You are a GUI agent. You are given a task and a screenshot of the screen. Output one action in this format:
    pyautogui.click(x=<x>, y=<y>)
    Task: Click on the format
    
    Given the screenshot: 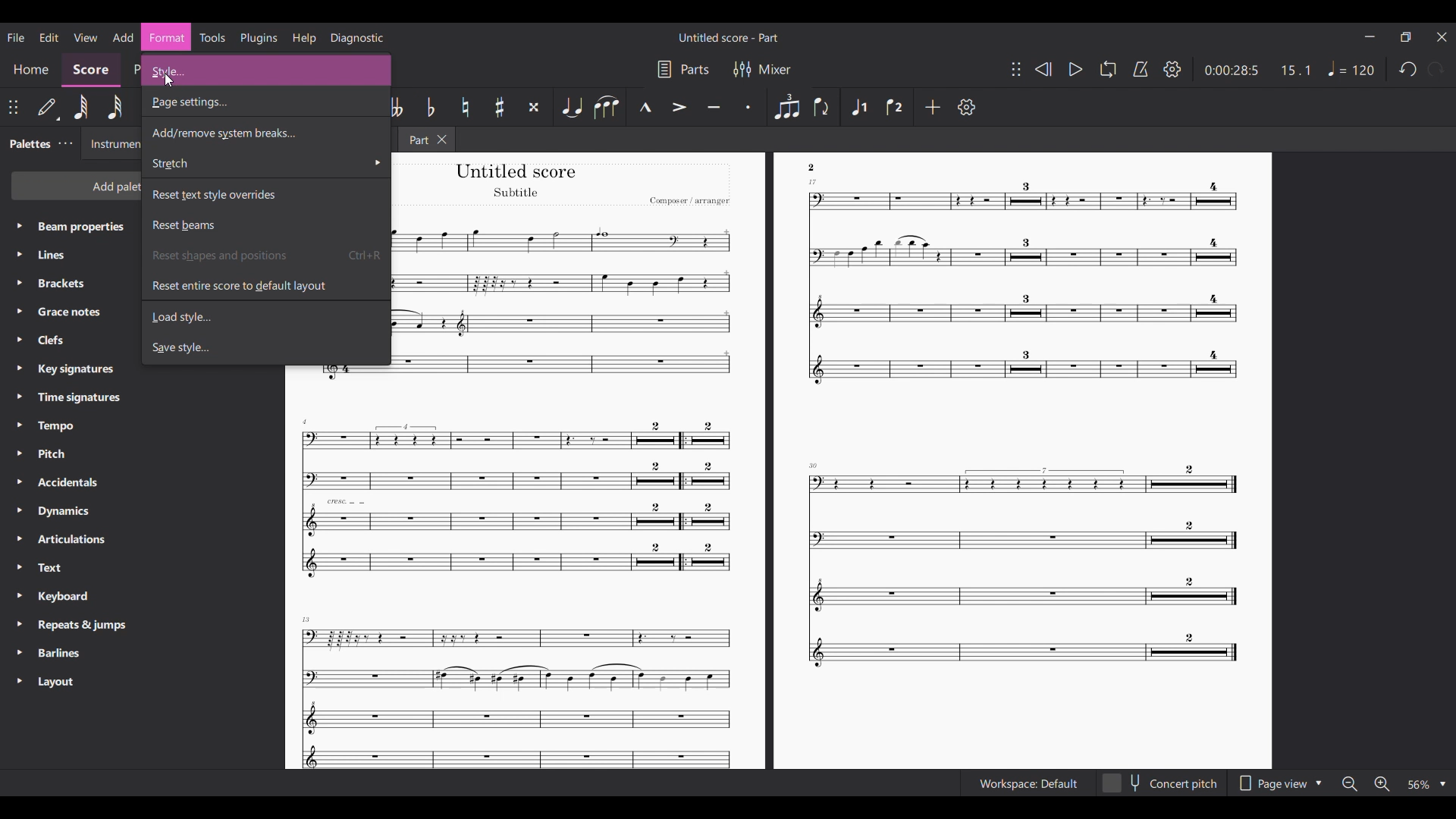 What is the action you would take?
    pyautogui.click(x=168, y=37)
    